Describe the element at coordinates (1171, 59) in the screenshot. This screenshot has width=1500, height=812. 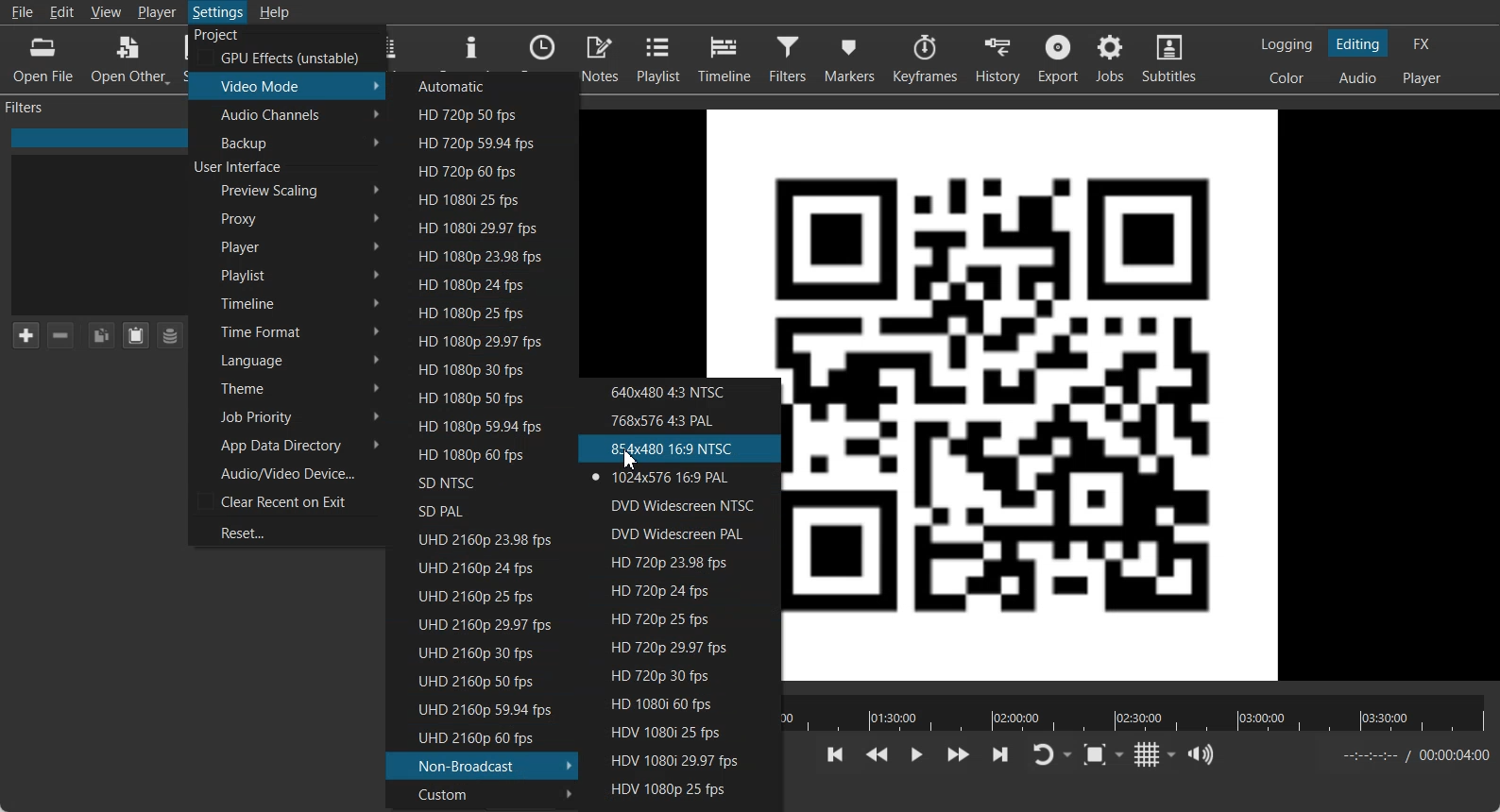
I see `Subtitles` at that location.